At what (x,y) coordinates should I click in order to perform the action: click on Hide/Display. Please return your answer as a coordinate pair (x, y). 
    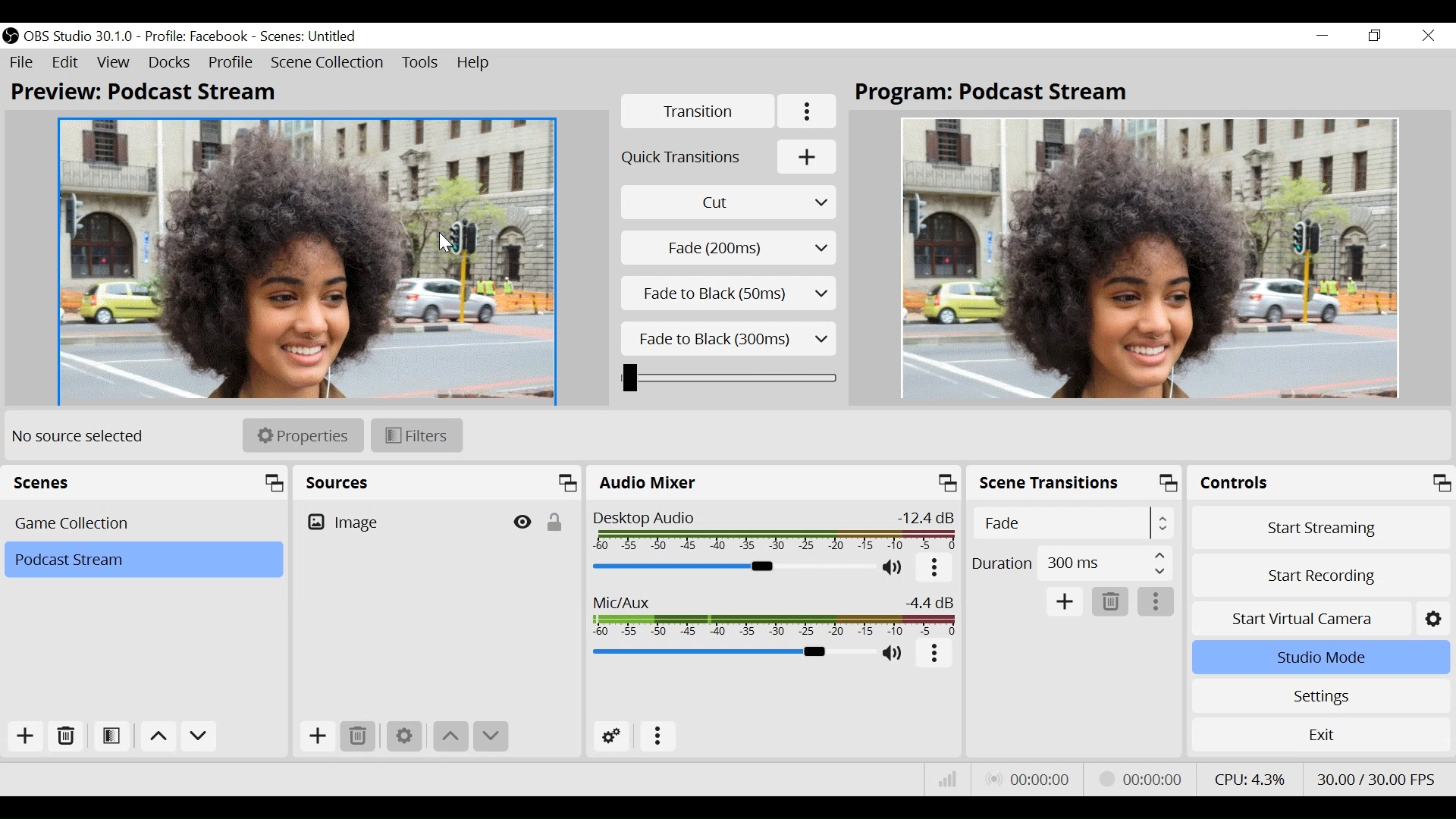
    Looking at the image, I should click on (524, 526).